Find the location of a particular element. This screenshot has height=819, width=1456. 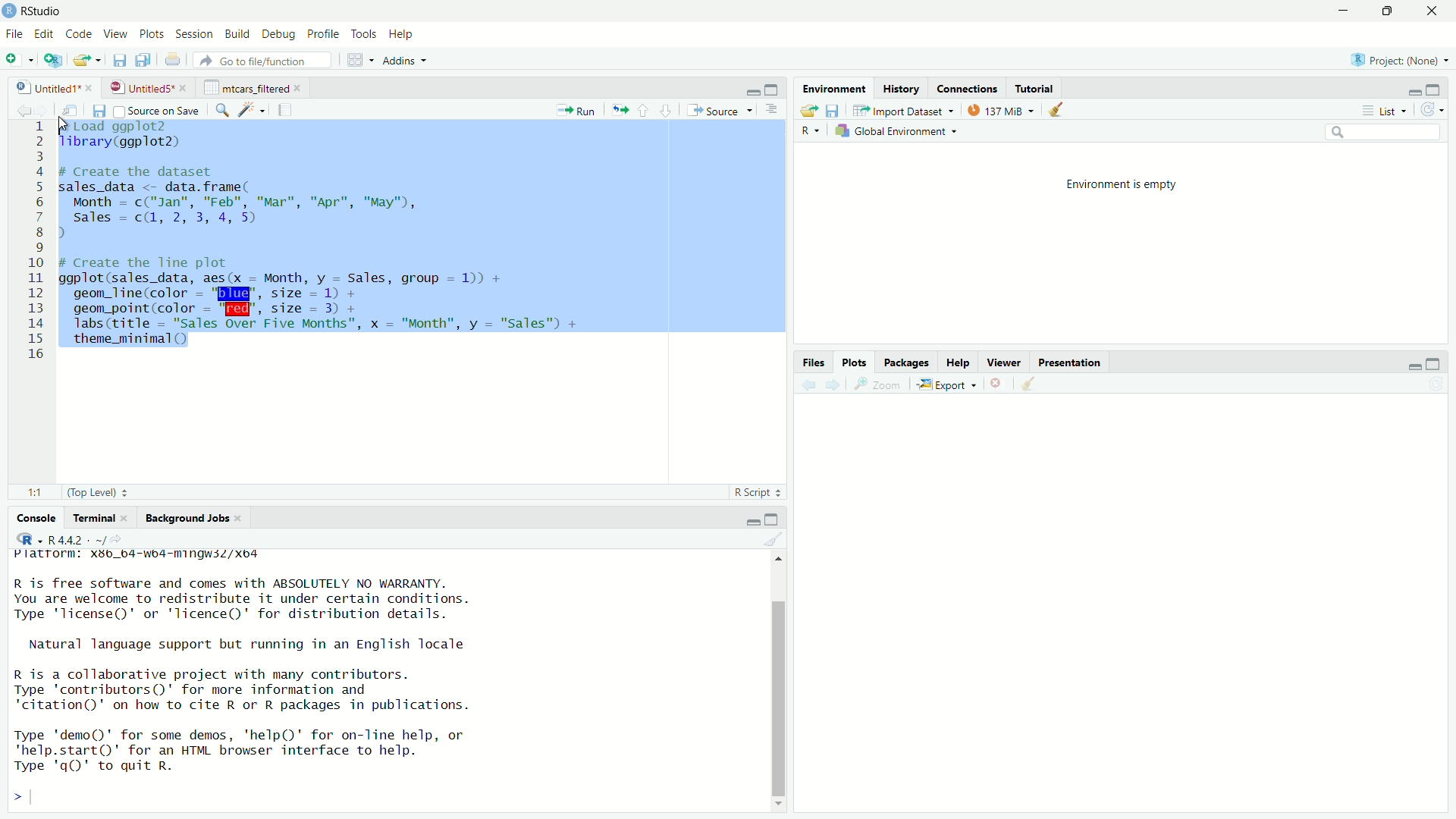

close is located at coordinates (89, 87).